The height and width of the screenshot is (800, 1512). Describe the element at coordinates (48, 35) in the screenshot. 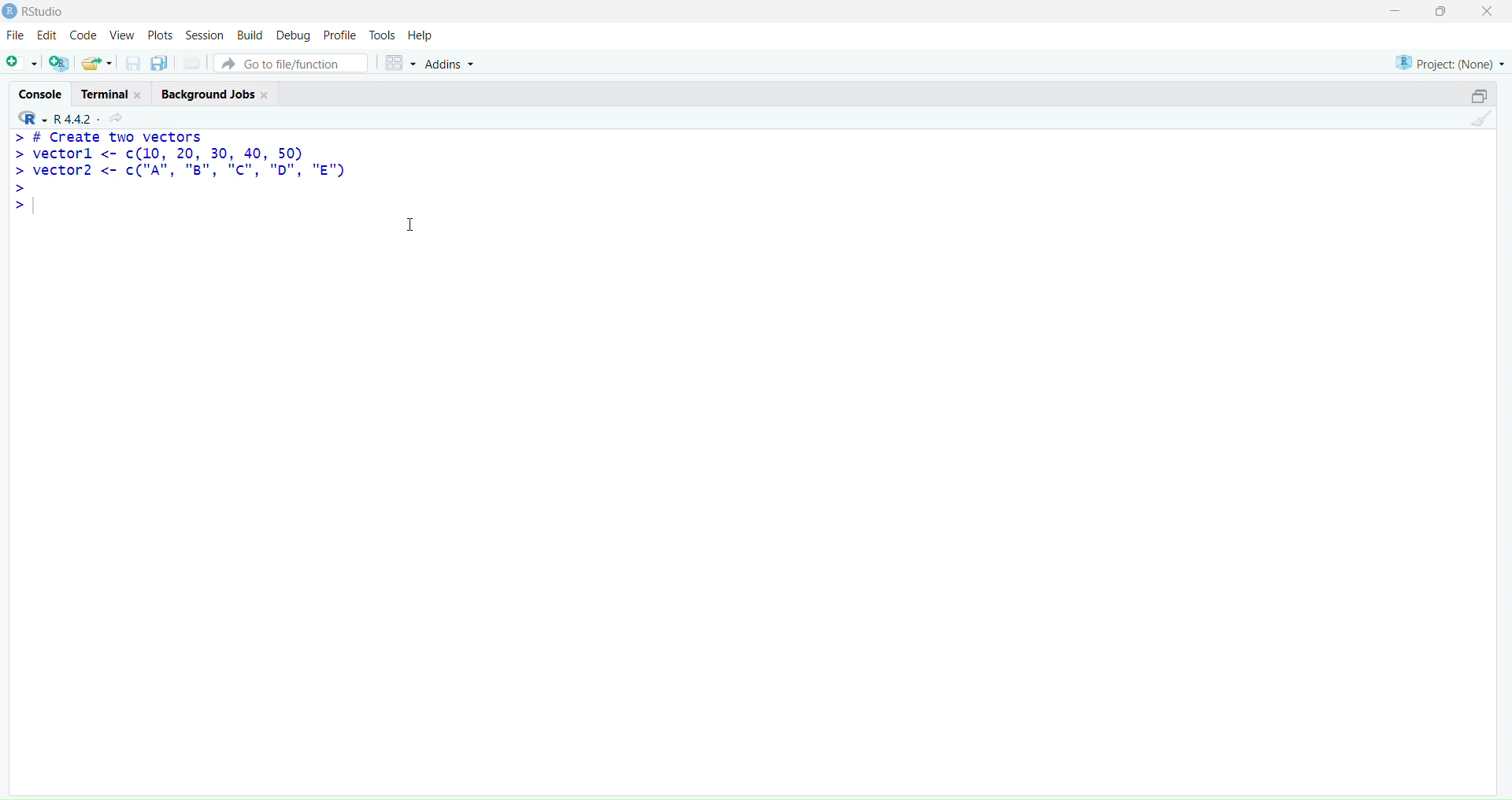

I see `Edit` at that location.